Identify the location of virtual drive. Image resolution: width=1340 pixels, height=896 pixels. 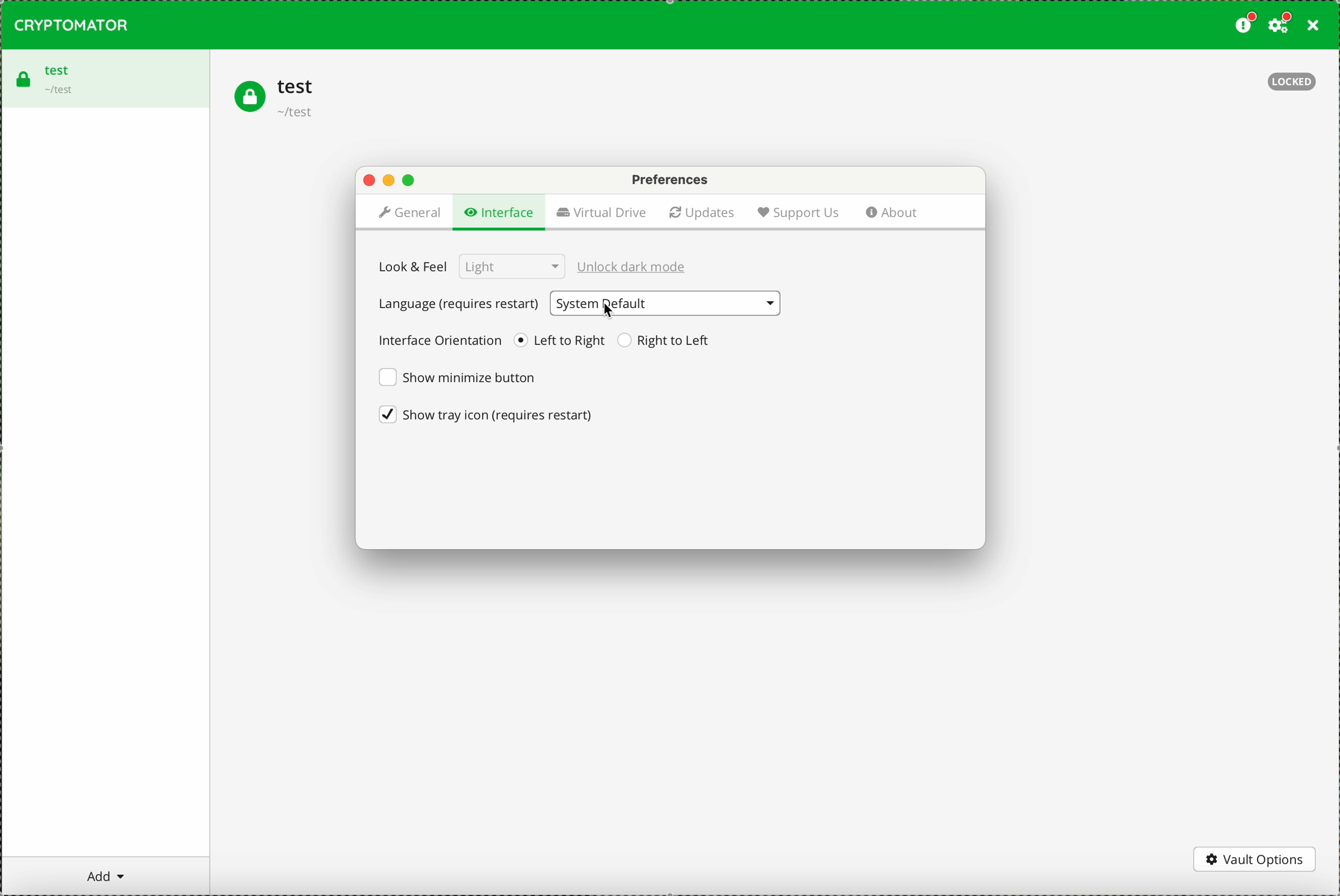
(601, 213).